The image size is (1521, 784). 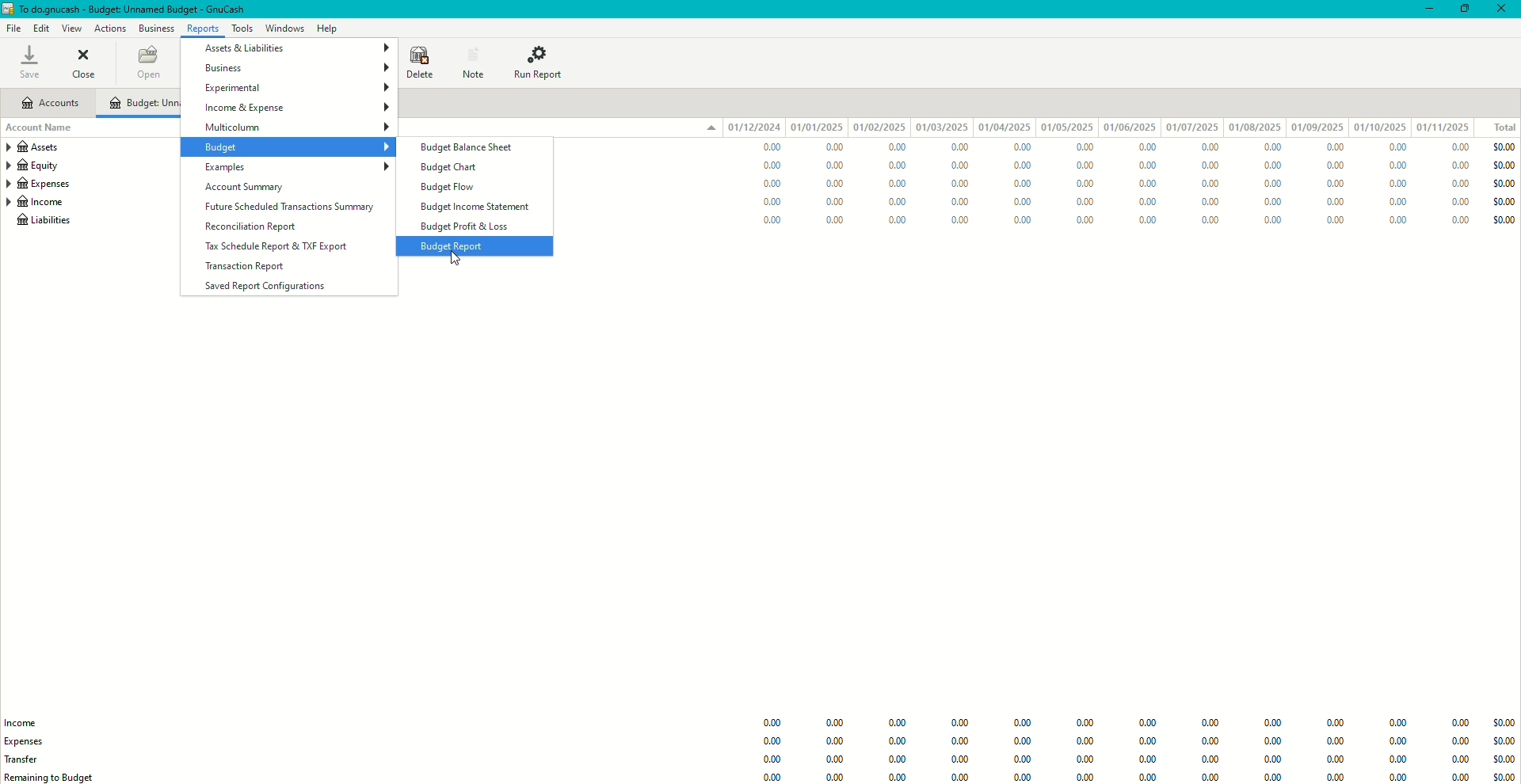 I want to click on 01/06/2025, so click(x=1129, y=128).